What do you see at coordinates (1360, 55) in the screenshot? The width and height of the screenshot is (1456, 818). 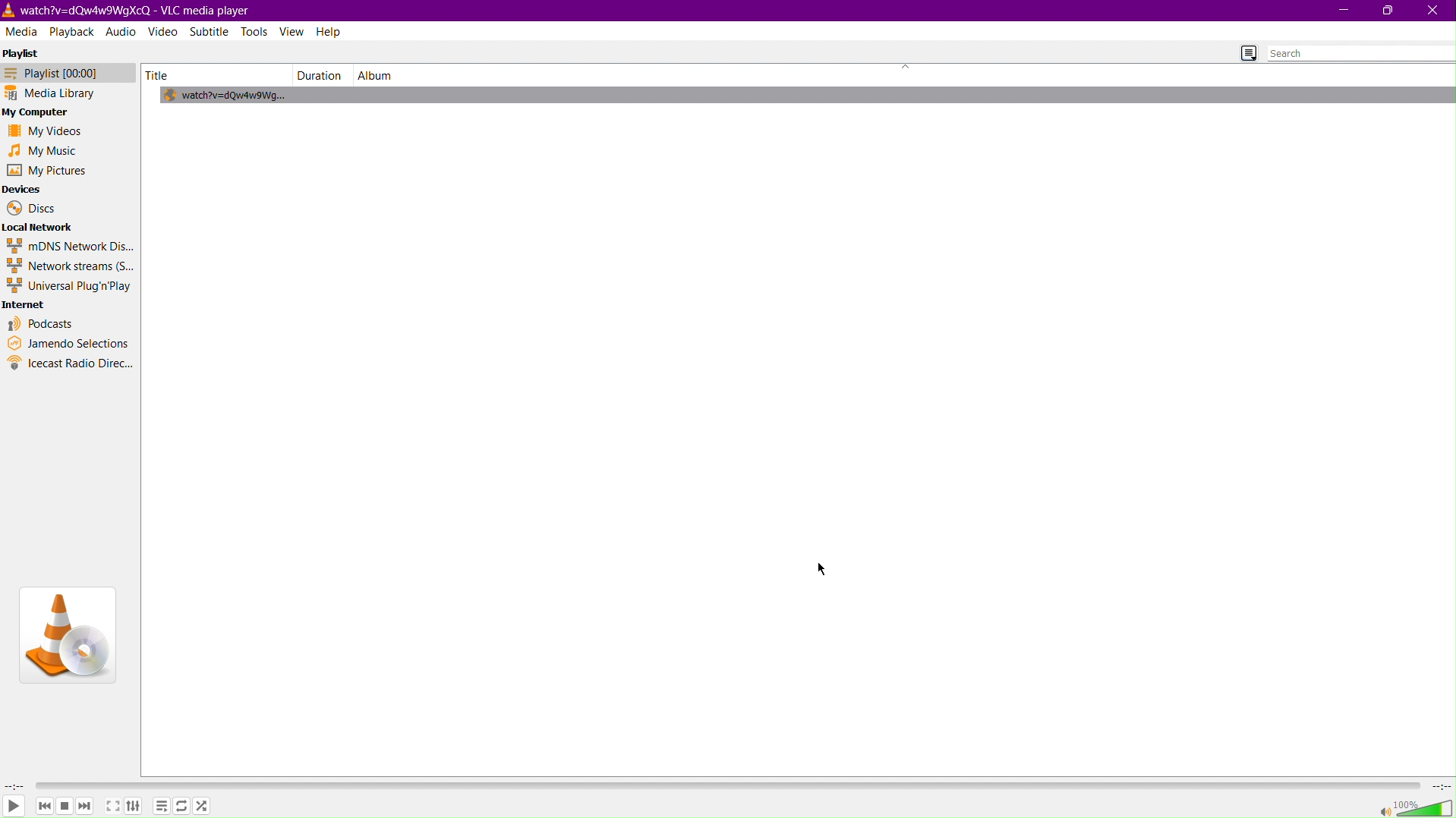 I see `Search bar` at bounding box center [1360, 55].